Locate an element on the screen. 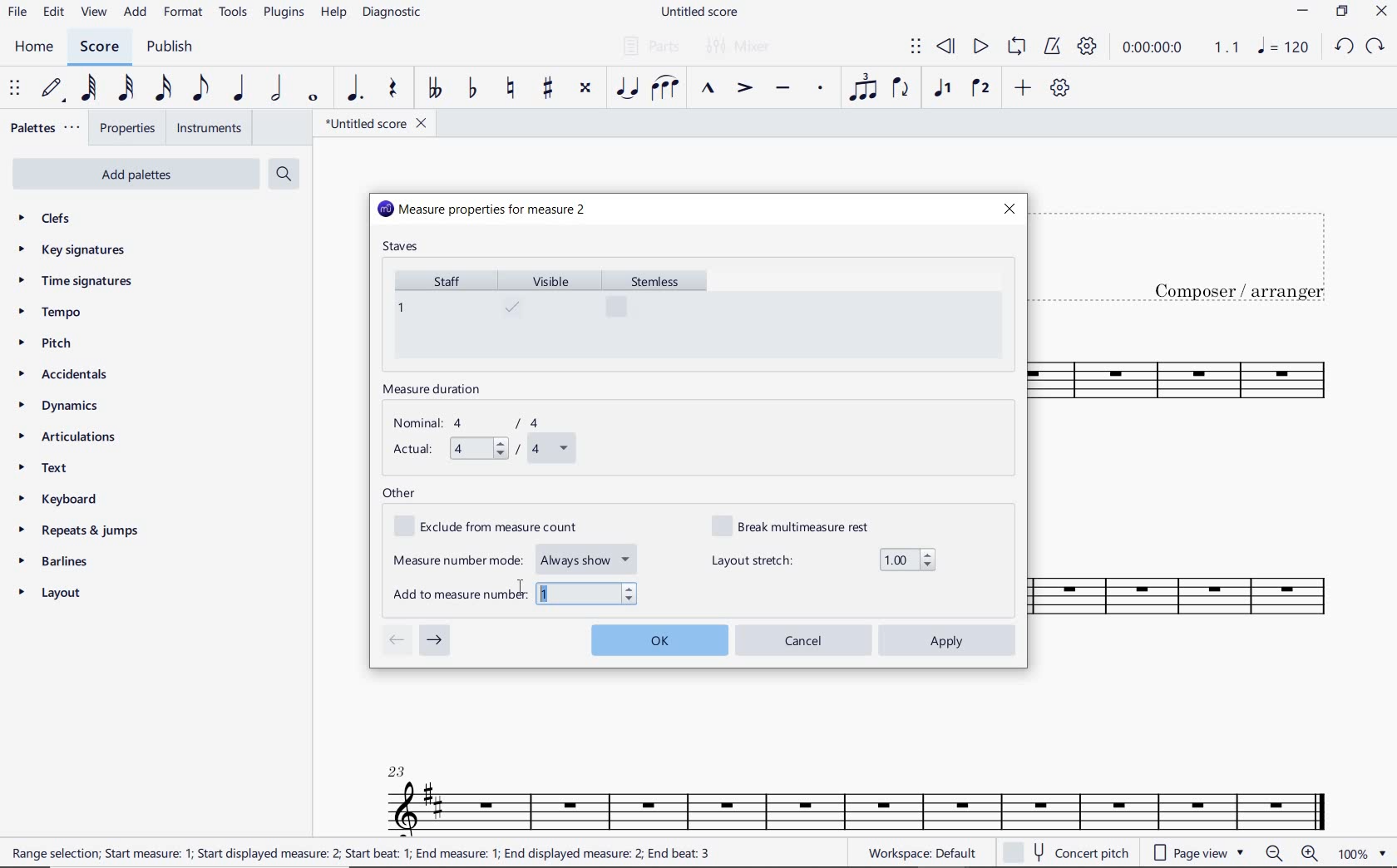  TEMPO is located at coordinates (49, 313).